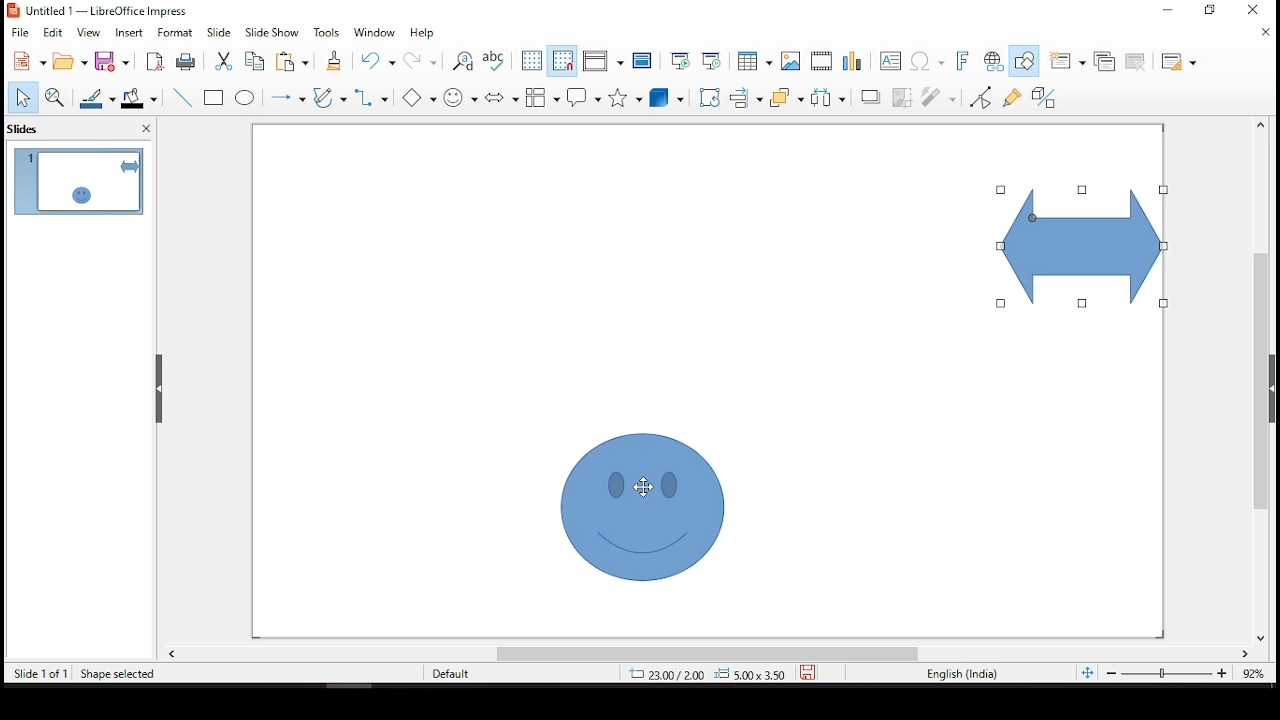  What do you see at coordinates (327, 33) in the screenshot?
I see `tools` at bounding box center [327, 33].